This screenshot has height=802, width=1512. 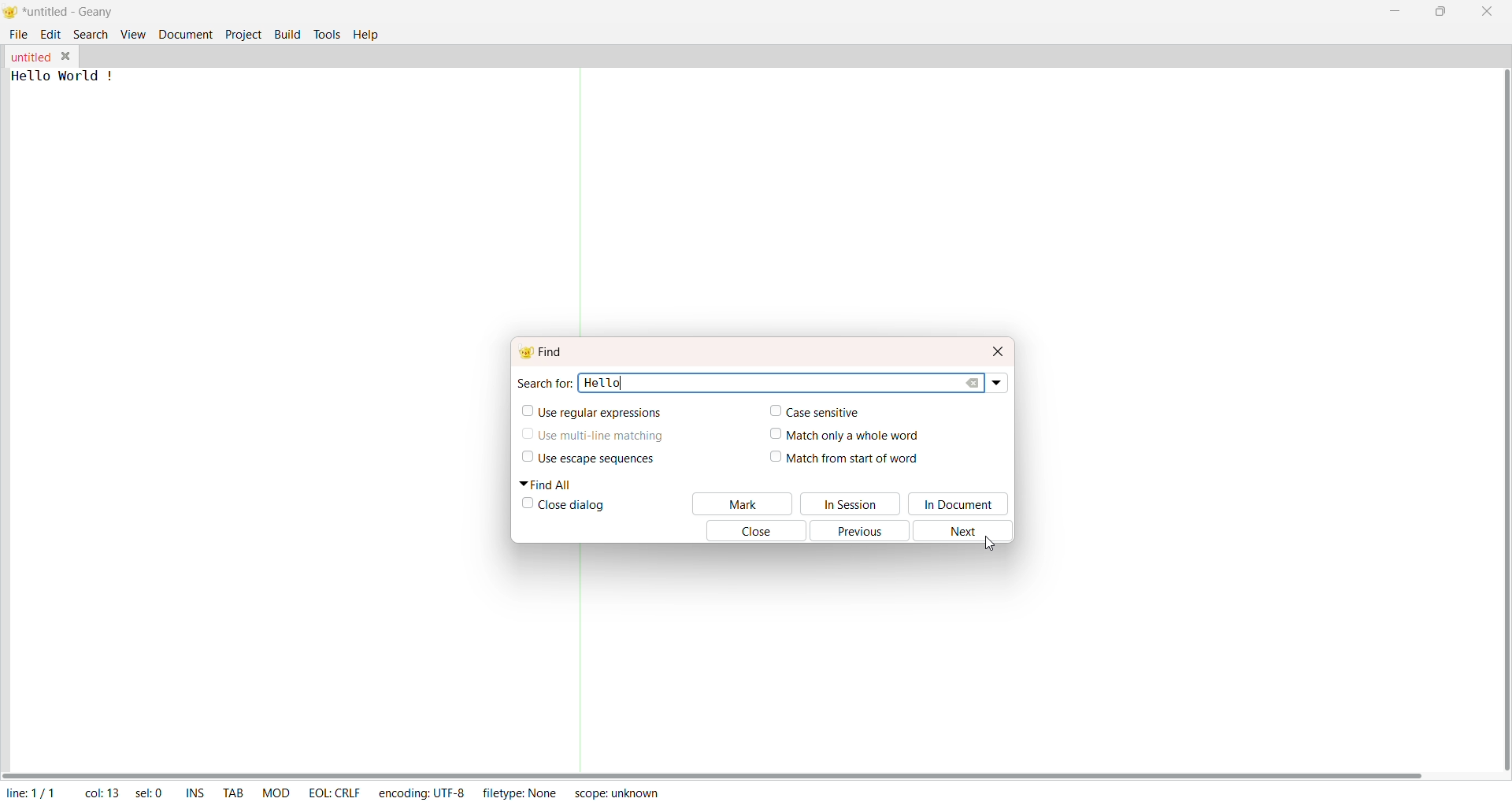 I want to click on Use Scape Sequences, so click(x=610, y=460).